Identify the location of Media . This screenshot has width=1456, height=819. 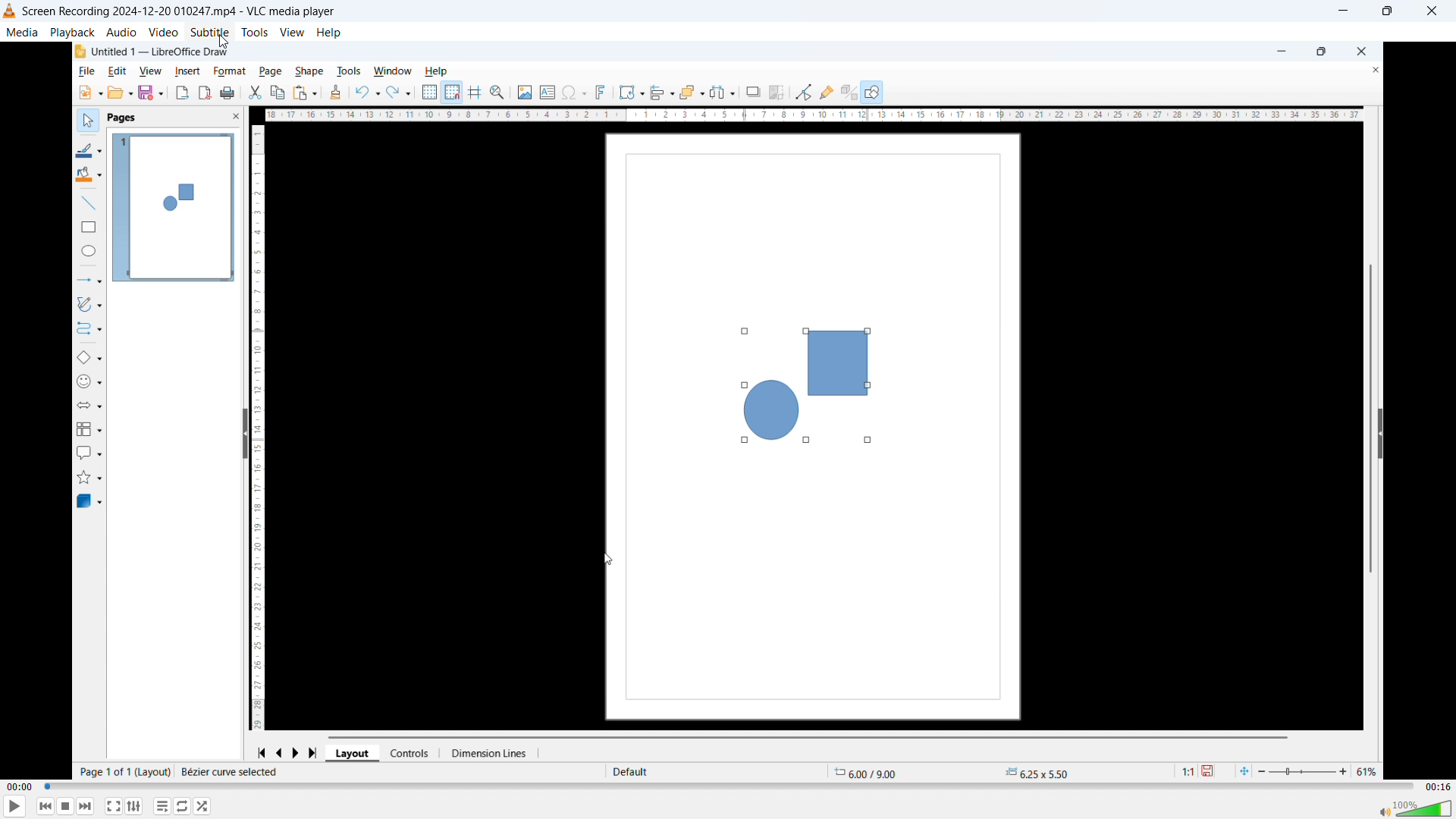
(22, 31).